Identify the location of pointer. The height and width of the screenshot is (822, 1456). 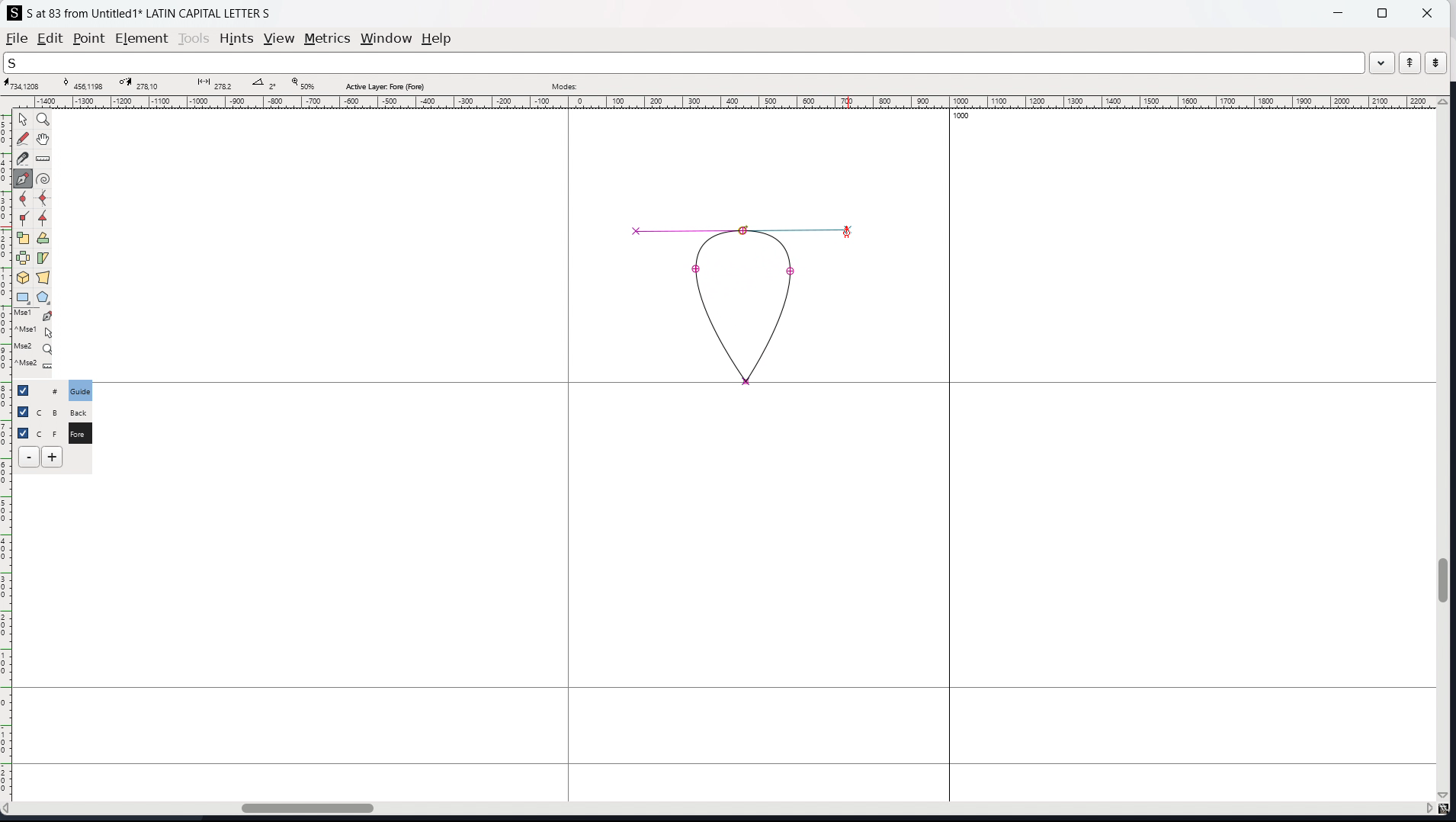
(24, 119).